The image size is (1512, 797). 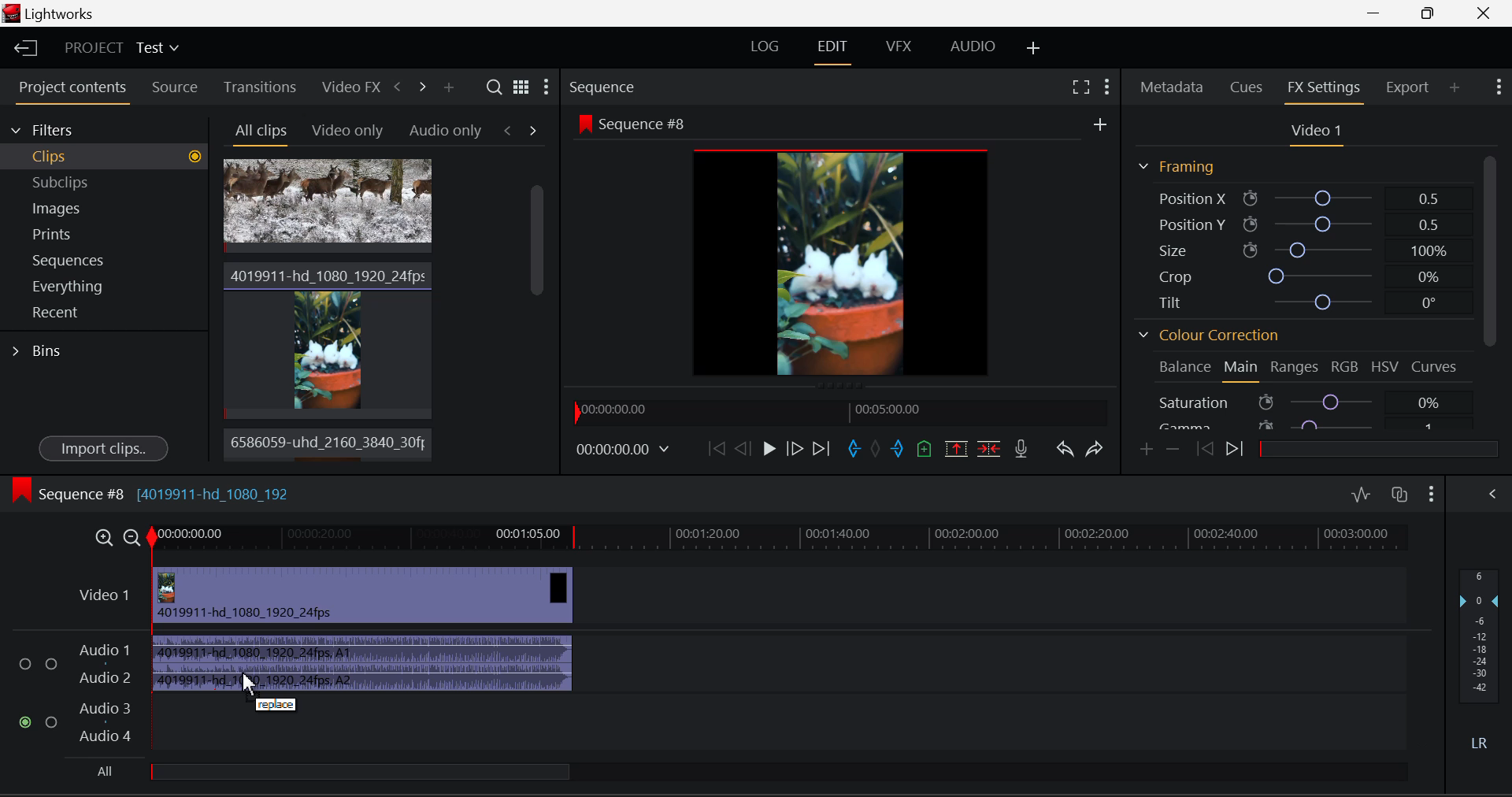 What do you see at coordinates (877, 449) in the screenshot?
I see `Remove all marks` at bounding box center [877, 449].